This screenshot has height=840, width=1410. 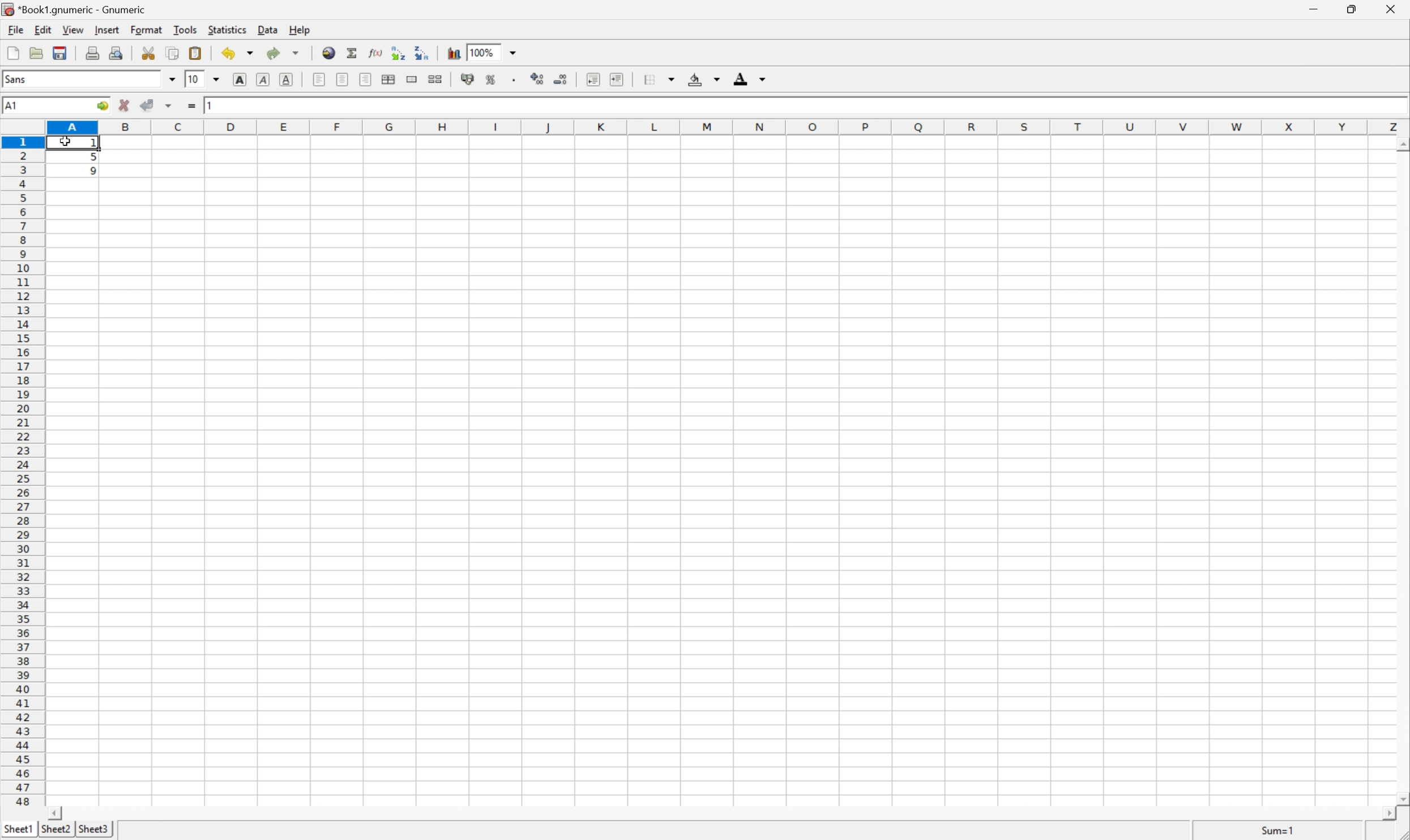 What do you see at coordinates (748, 77) in the screenshot?
I see `foreground` at bounding box center [748, 77].